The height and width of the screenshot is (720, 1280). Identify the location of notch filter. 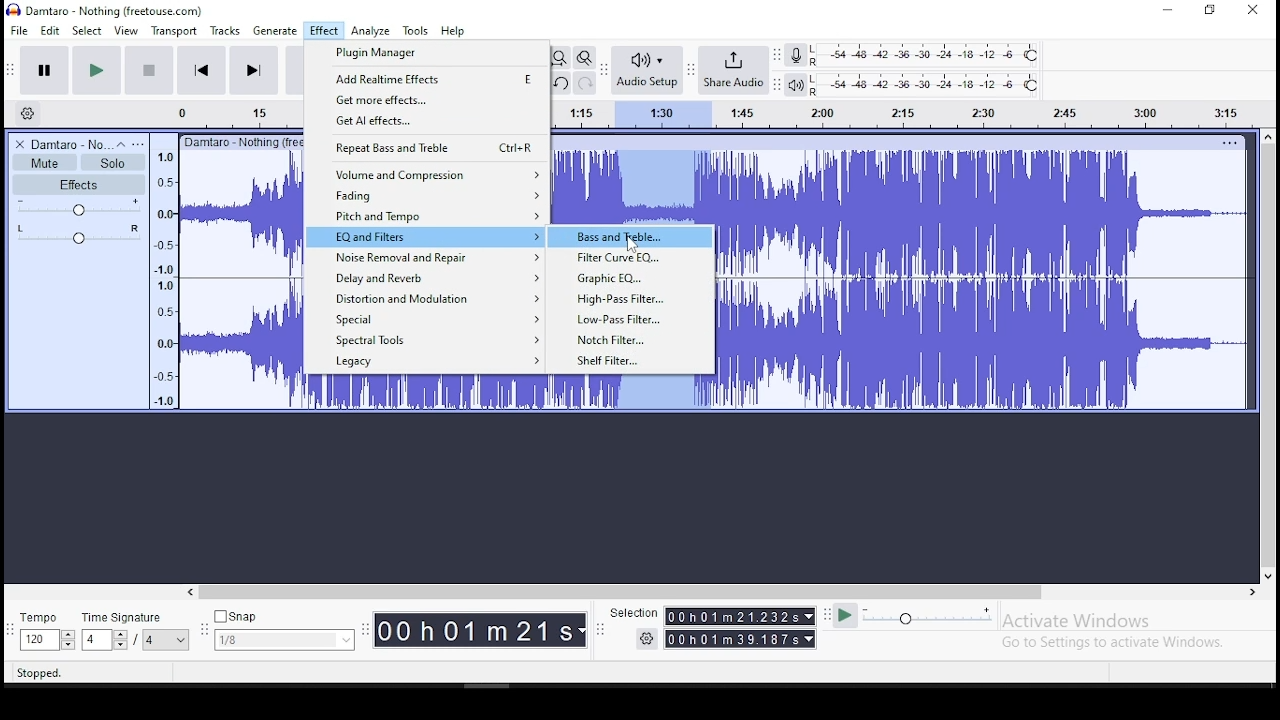
(634, 340).